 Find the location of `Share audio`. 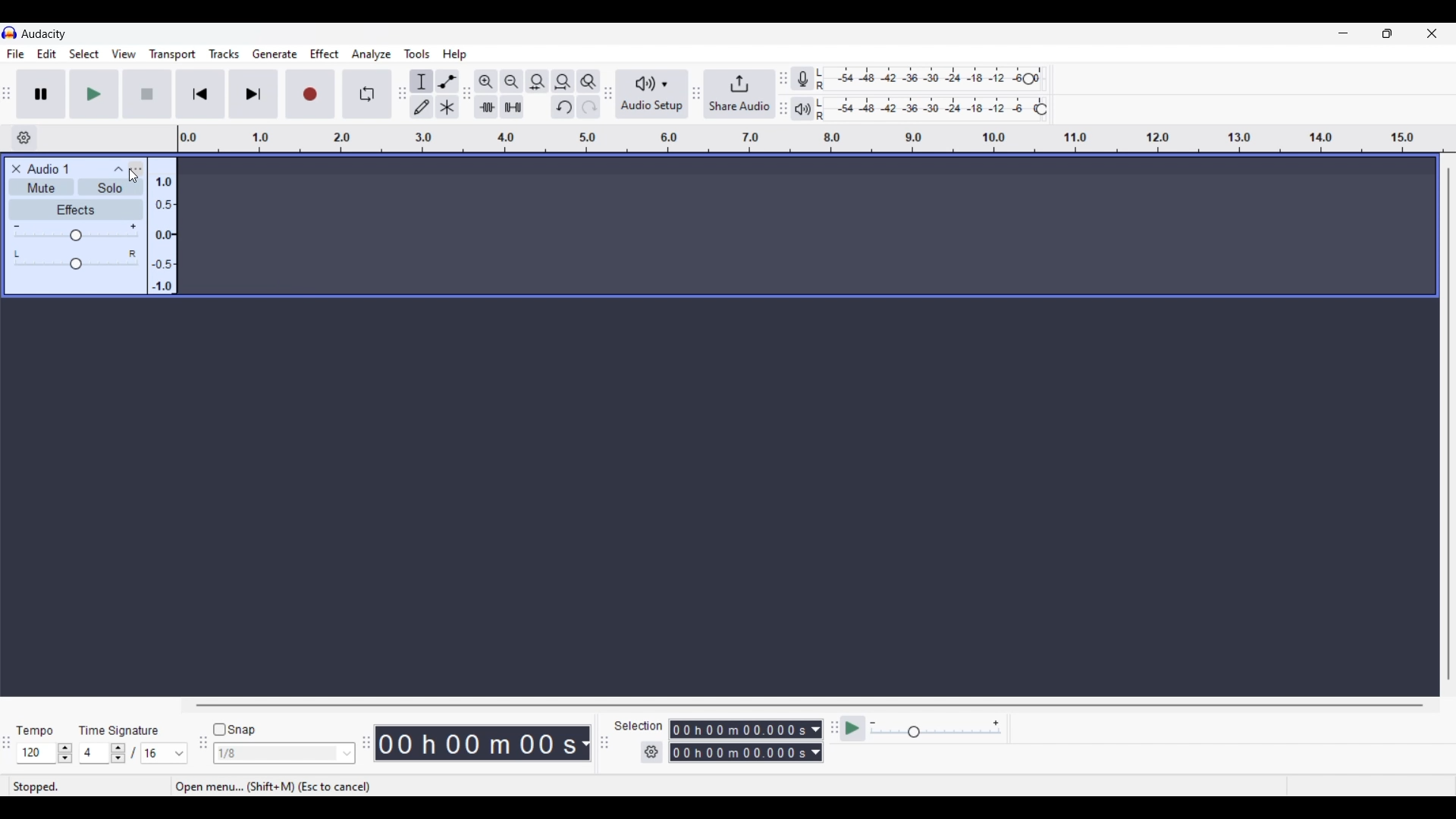

Share audio is located at coordinates (739, 94).